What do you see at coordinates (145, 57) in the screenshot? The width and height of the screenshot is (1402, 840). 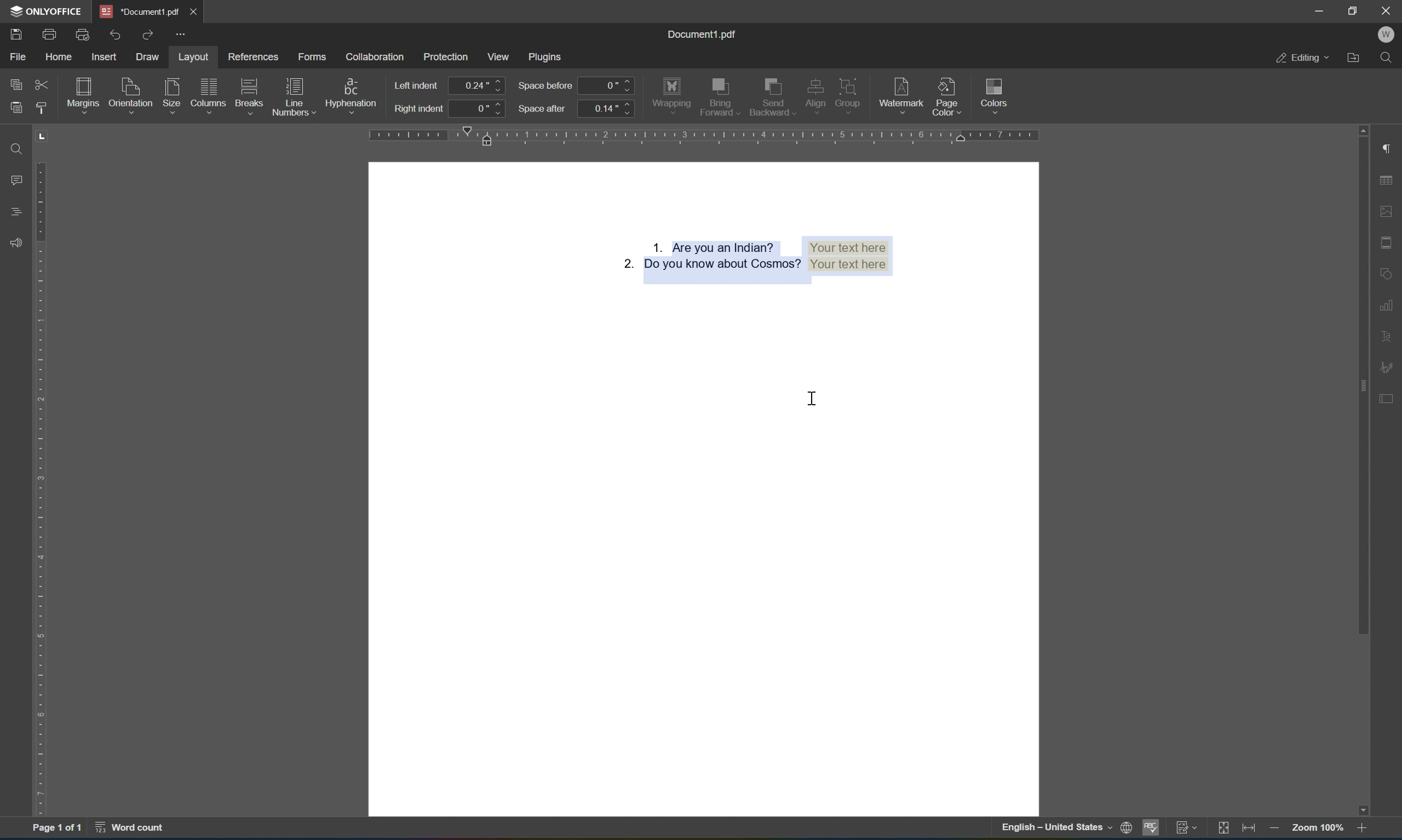 I see `draw` at bounding box center [145, 57].